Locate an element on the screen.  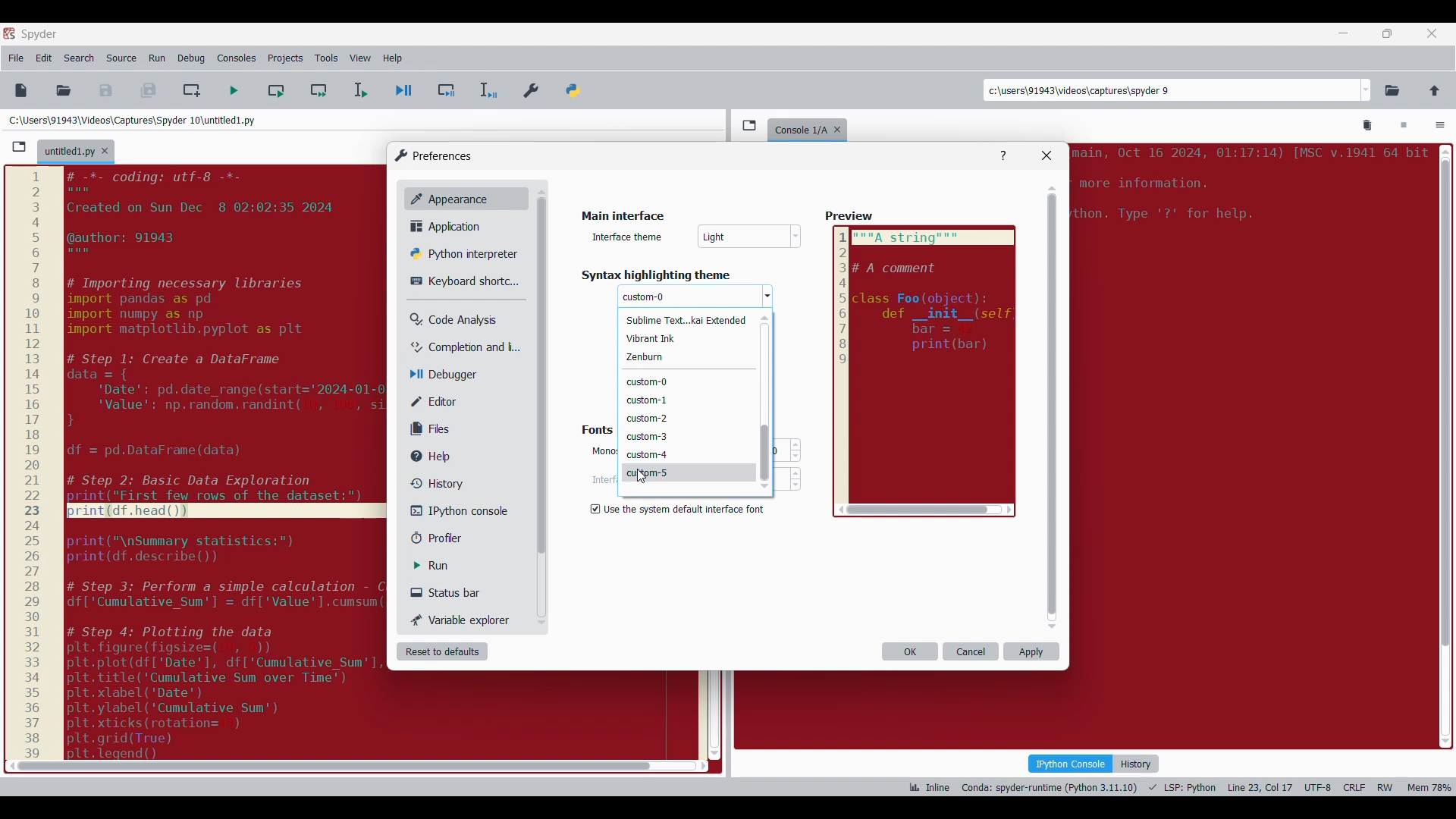
Create new cell at current line is located at coordinates (192, 90).